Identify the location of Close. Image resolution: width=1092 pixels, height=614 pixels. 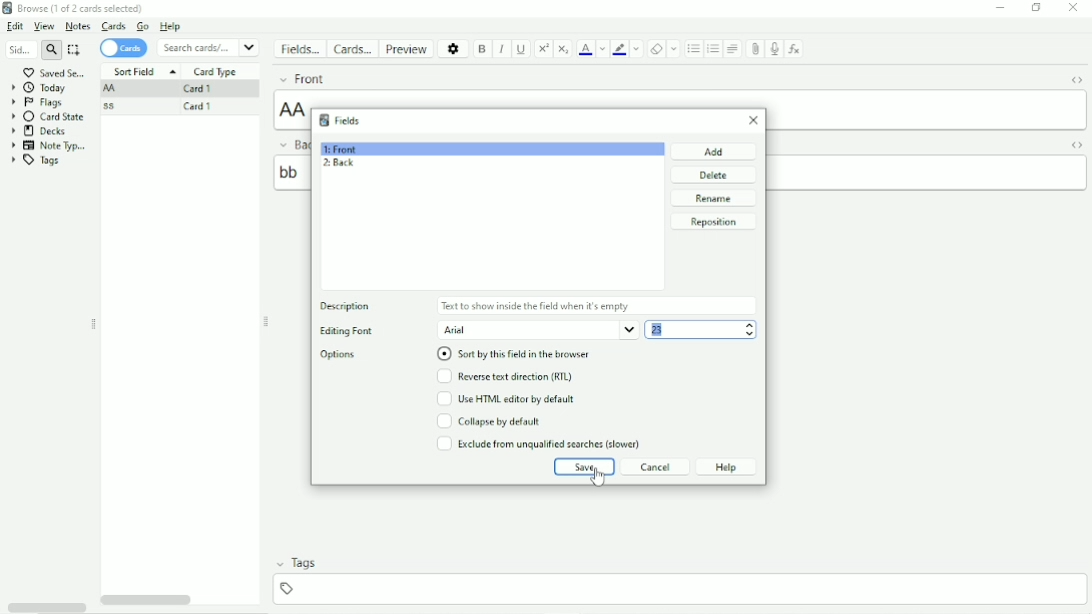
(1073, 9).